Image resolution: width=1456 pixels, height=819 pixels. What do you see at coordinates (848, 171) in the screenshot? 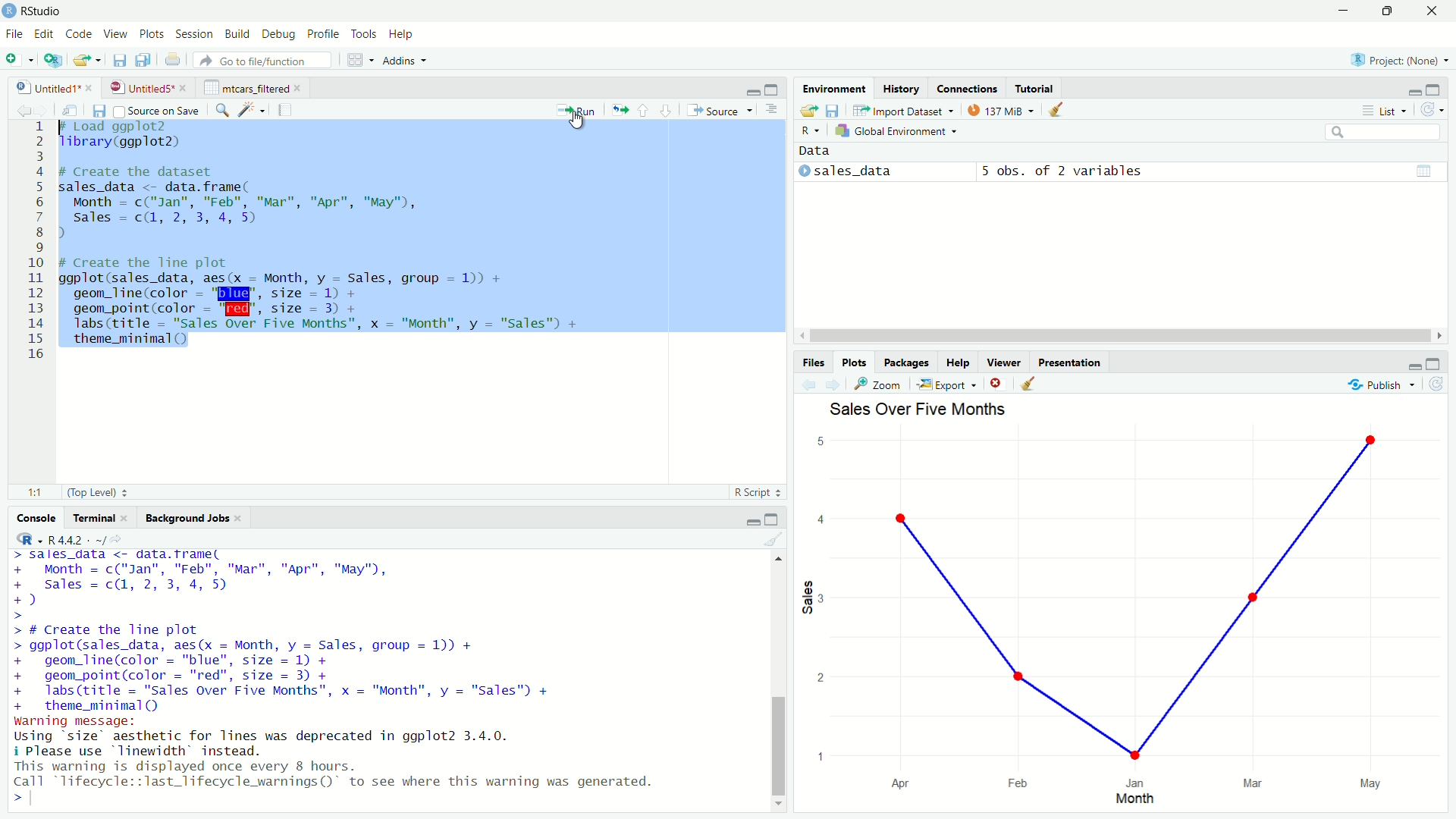
I see `sales_data` at bounding box center [848, 171].